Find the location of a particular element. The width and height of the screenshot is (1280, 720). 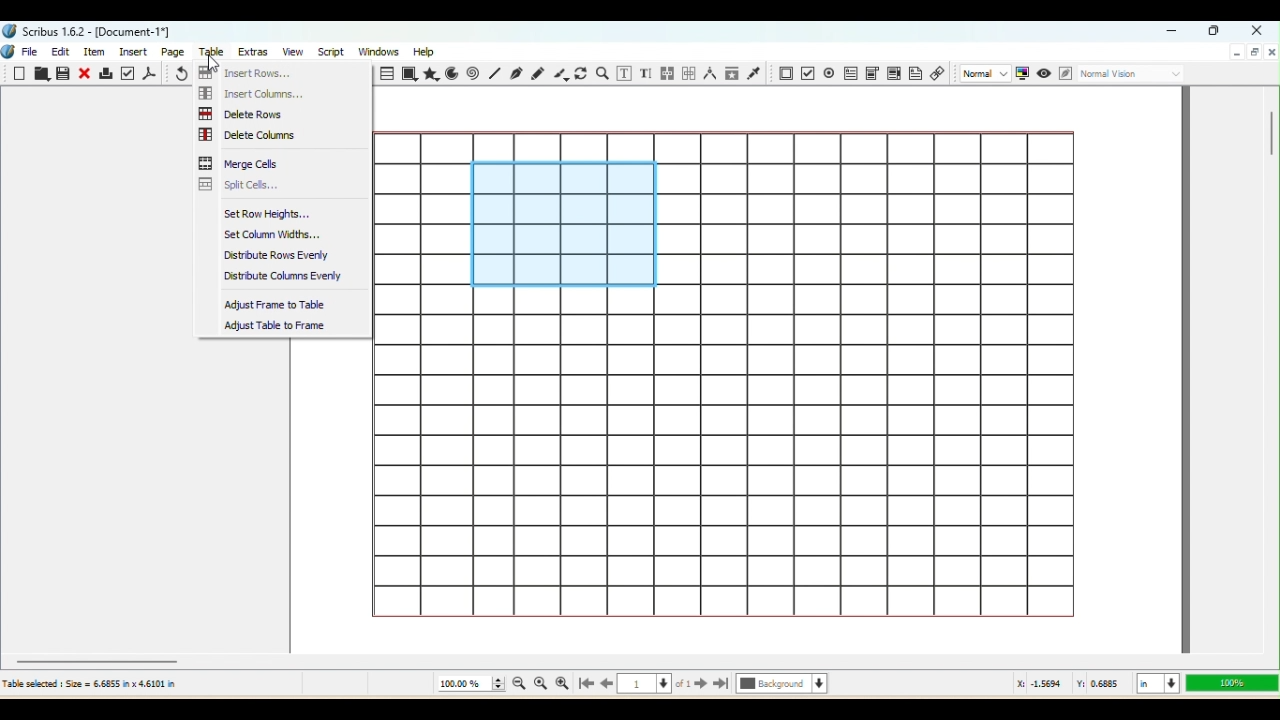

Help is located at coordinates (426, 50).